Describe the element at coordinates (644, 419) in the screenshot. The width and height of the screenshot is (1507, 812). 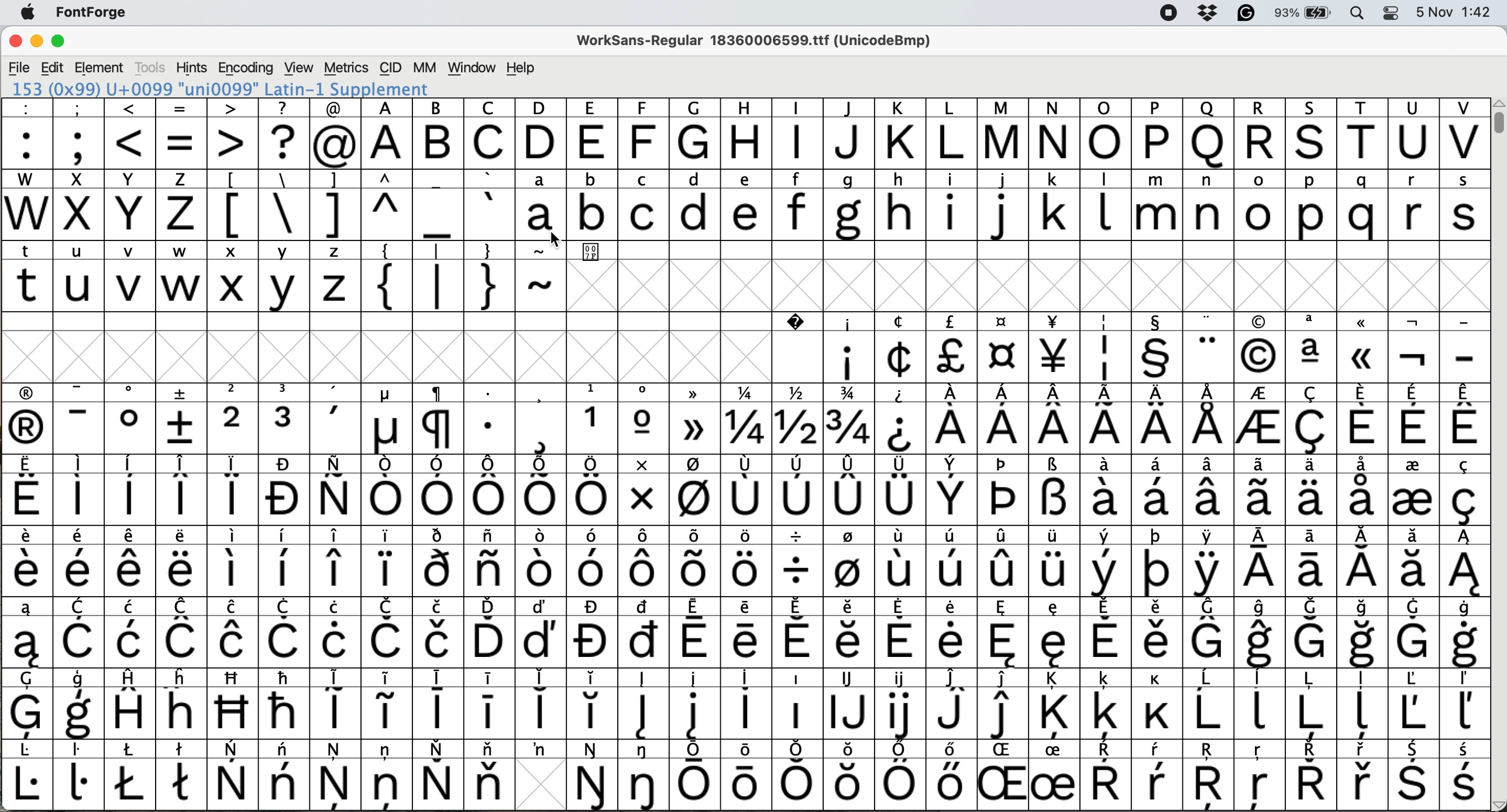
I see `symbol` at that location.